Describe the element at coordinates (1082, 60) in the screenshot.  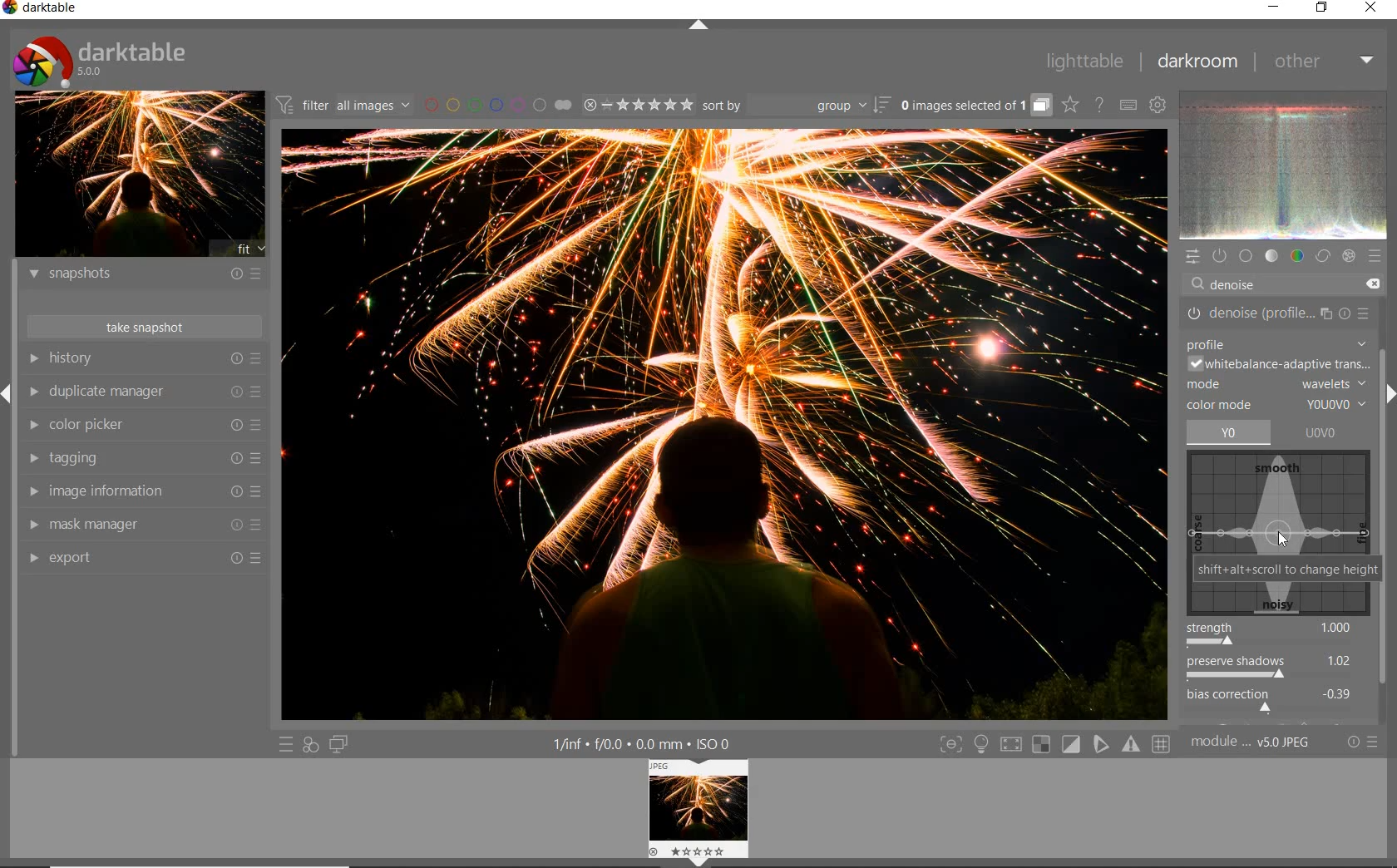
I see `lighttable` at that location.